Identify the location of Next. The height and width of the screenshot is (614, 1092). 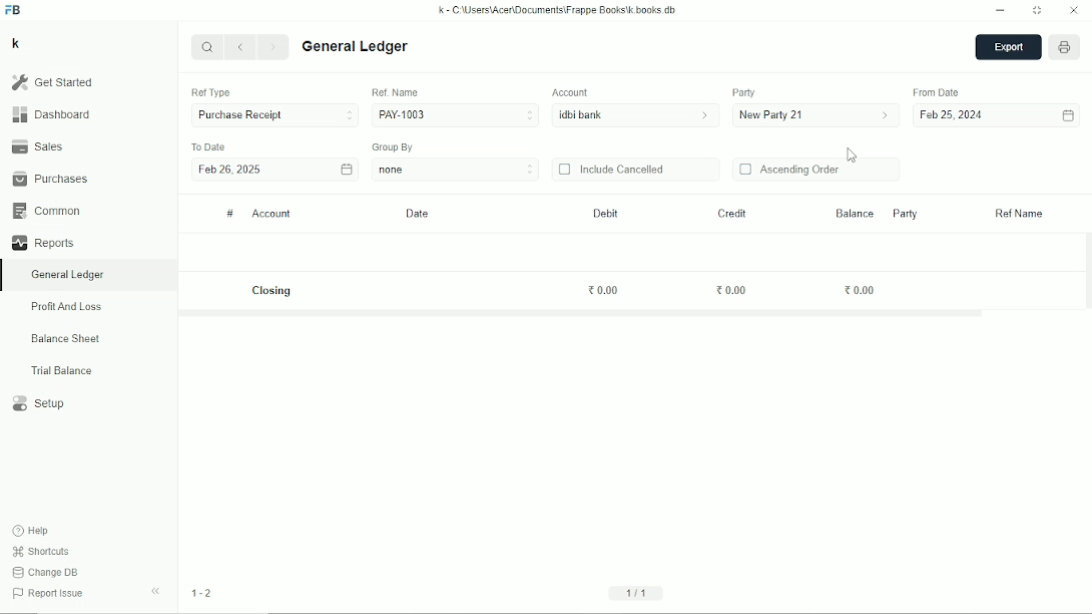
(275, 48).